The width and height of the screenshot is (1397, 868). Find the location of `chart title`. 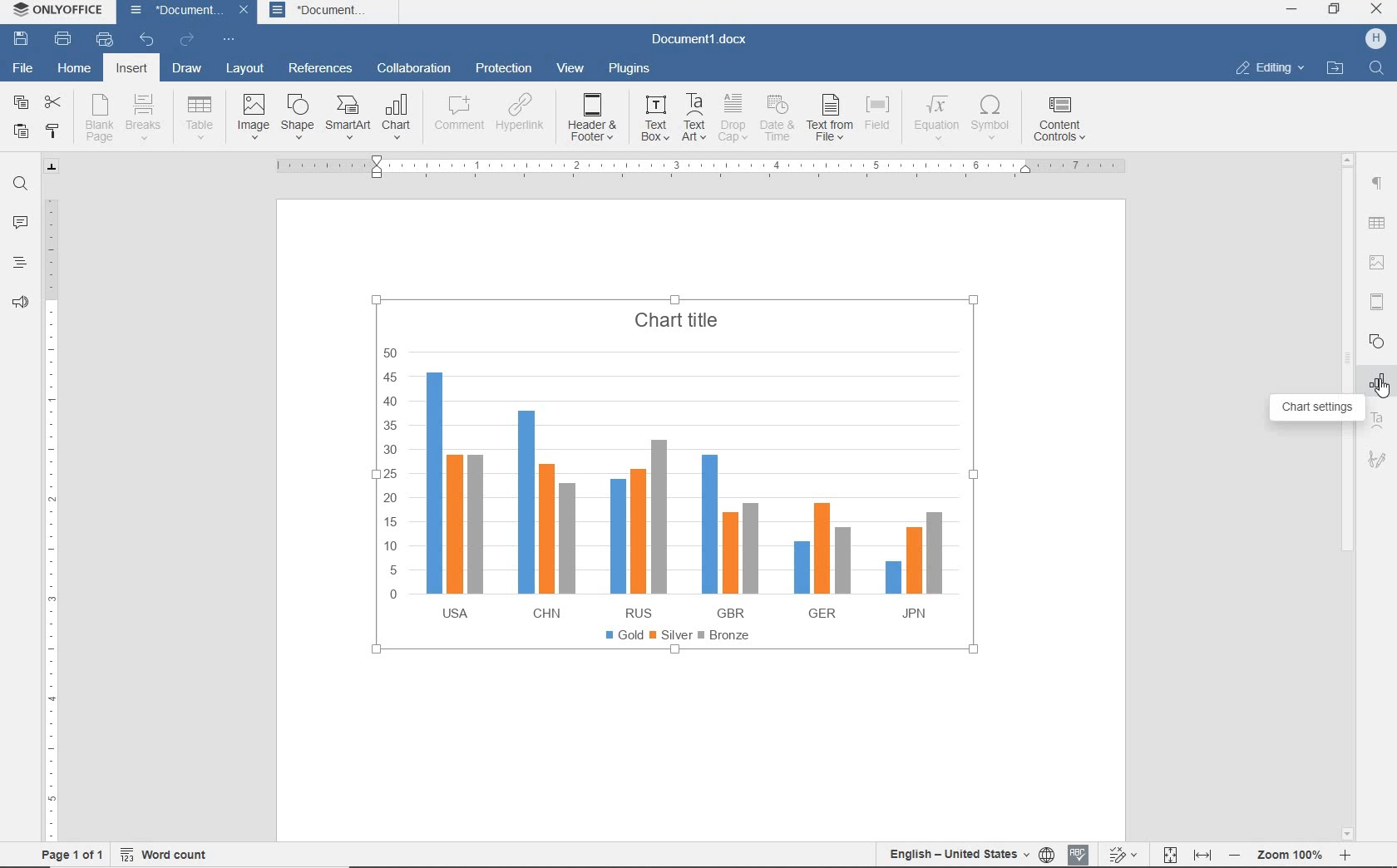

chart title is located at coordinates (675, 320).